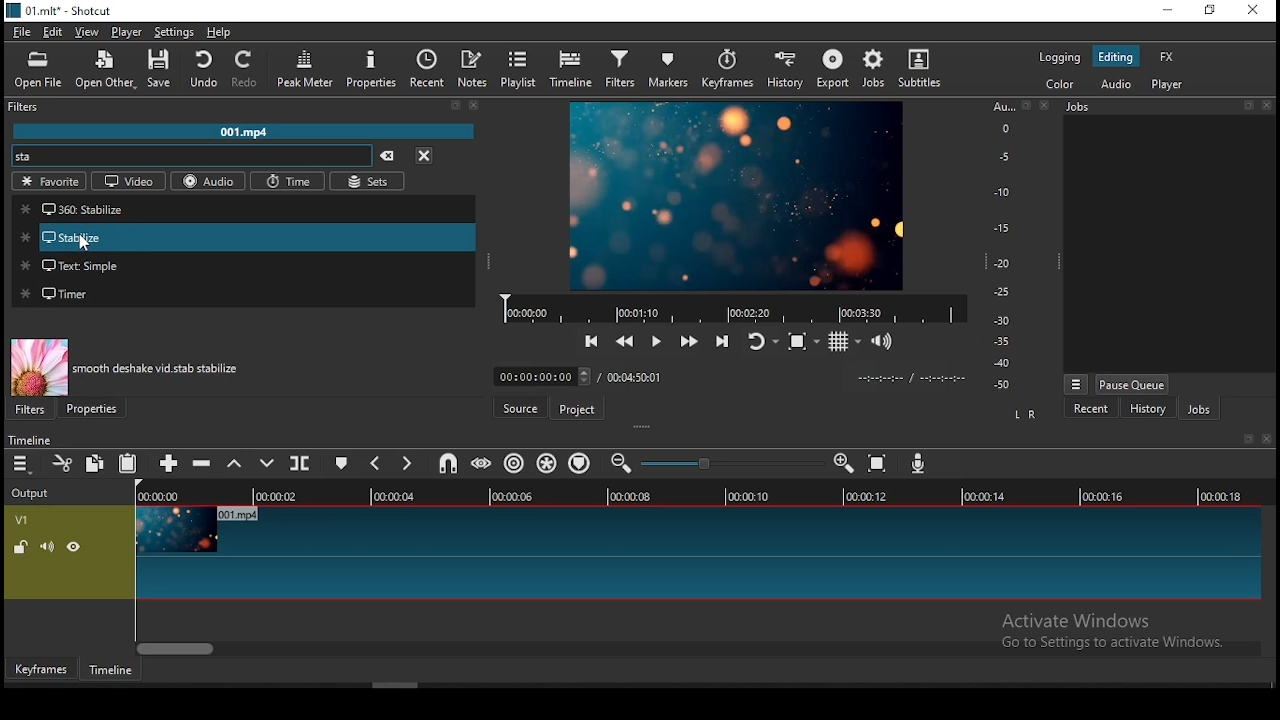 Image resolution: width=1280 pixels, height=720 pixels. Describe the element at coordinates (670, 68) in the screenshot. I see `markers` at that location.